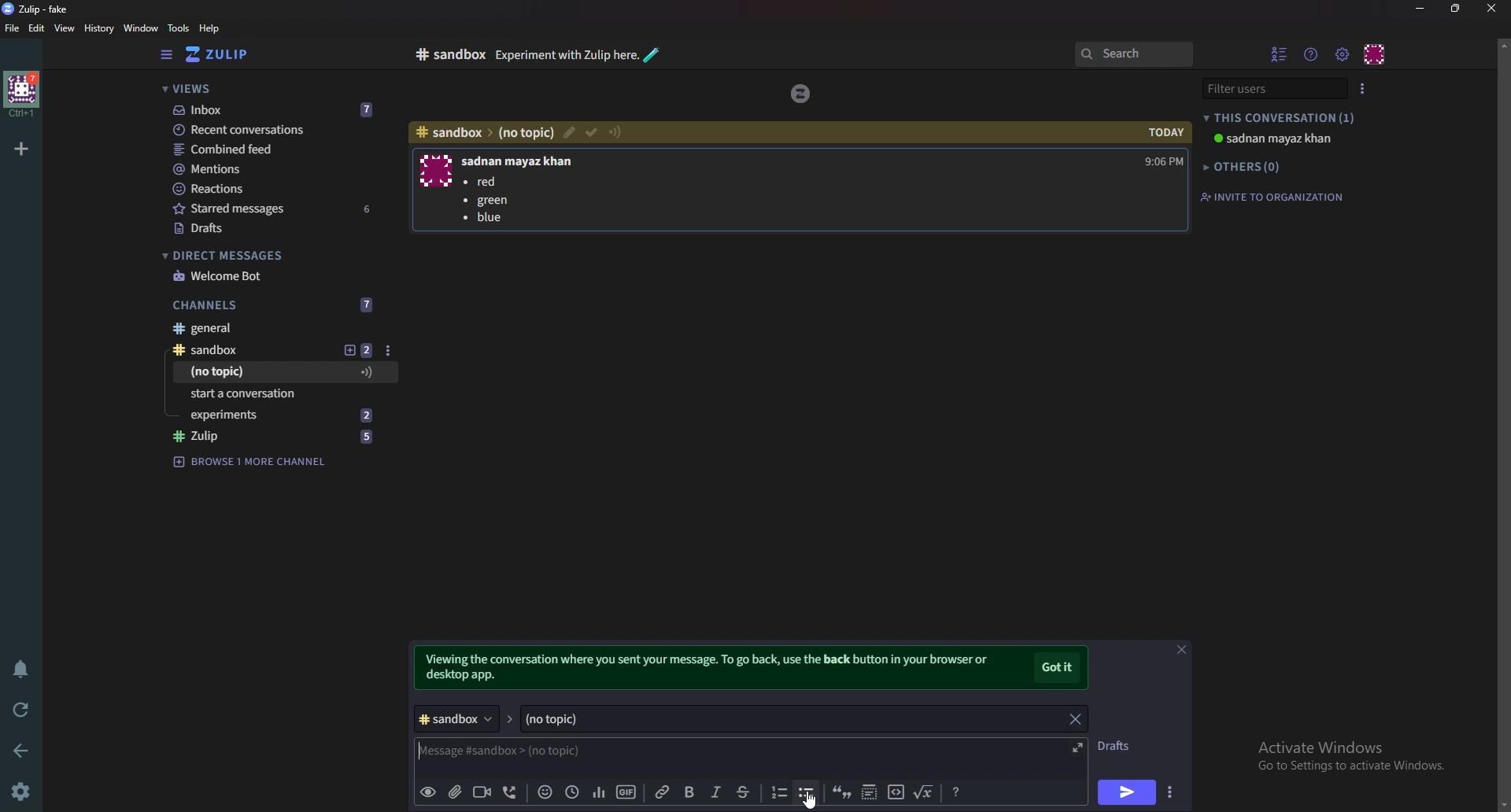 This screenshot has width=1511, height=812. I want to click on Spoiler, so click(870, 791).